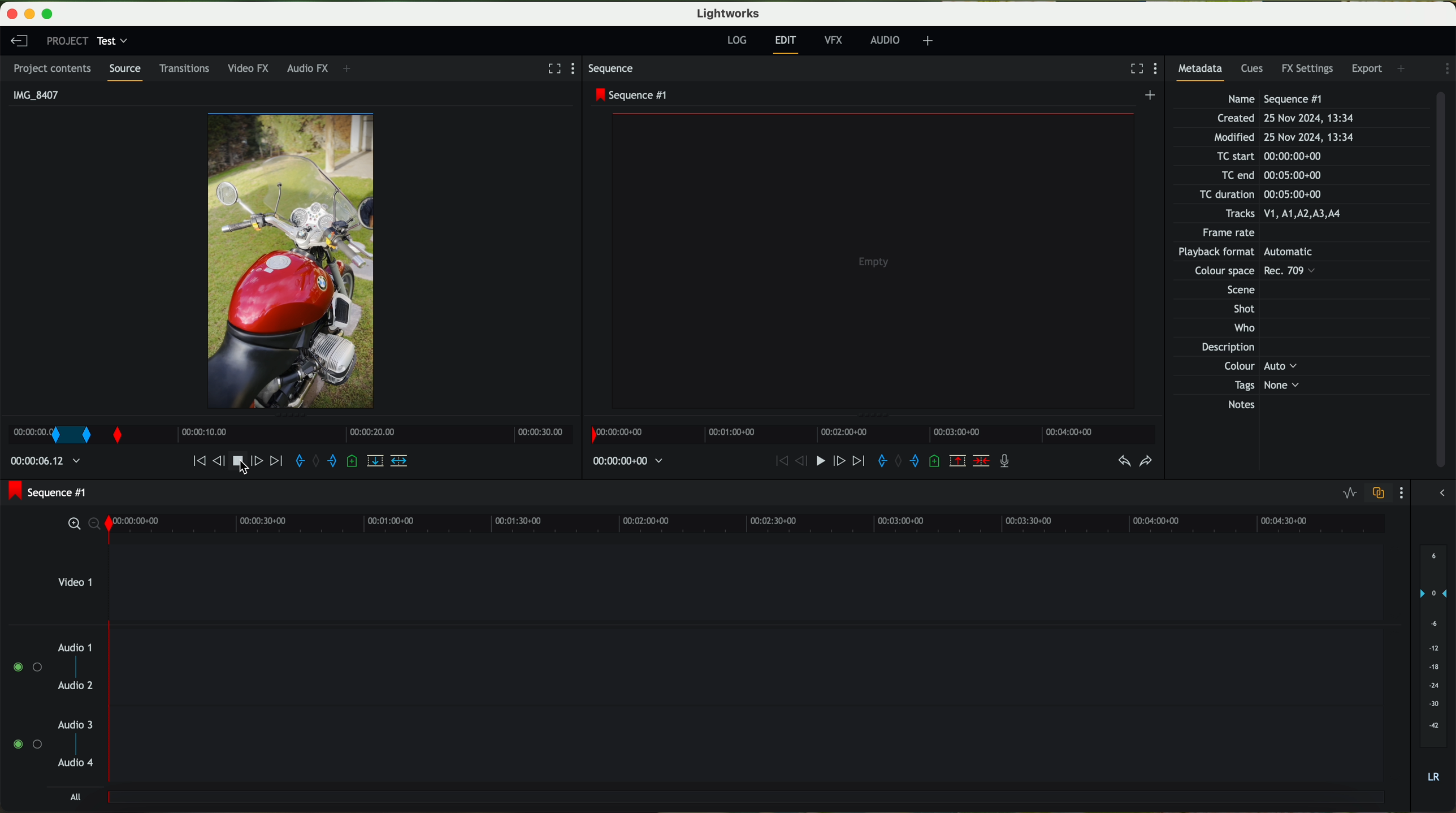 This screenshot has height=813, width=1456. What do you see at coordinates (251, 70) in the screenshot?
I see `video FX` at bounding box center [251, 70].